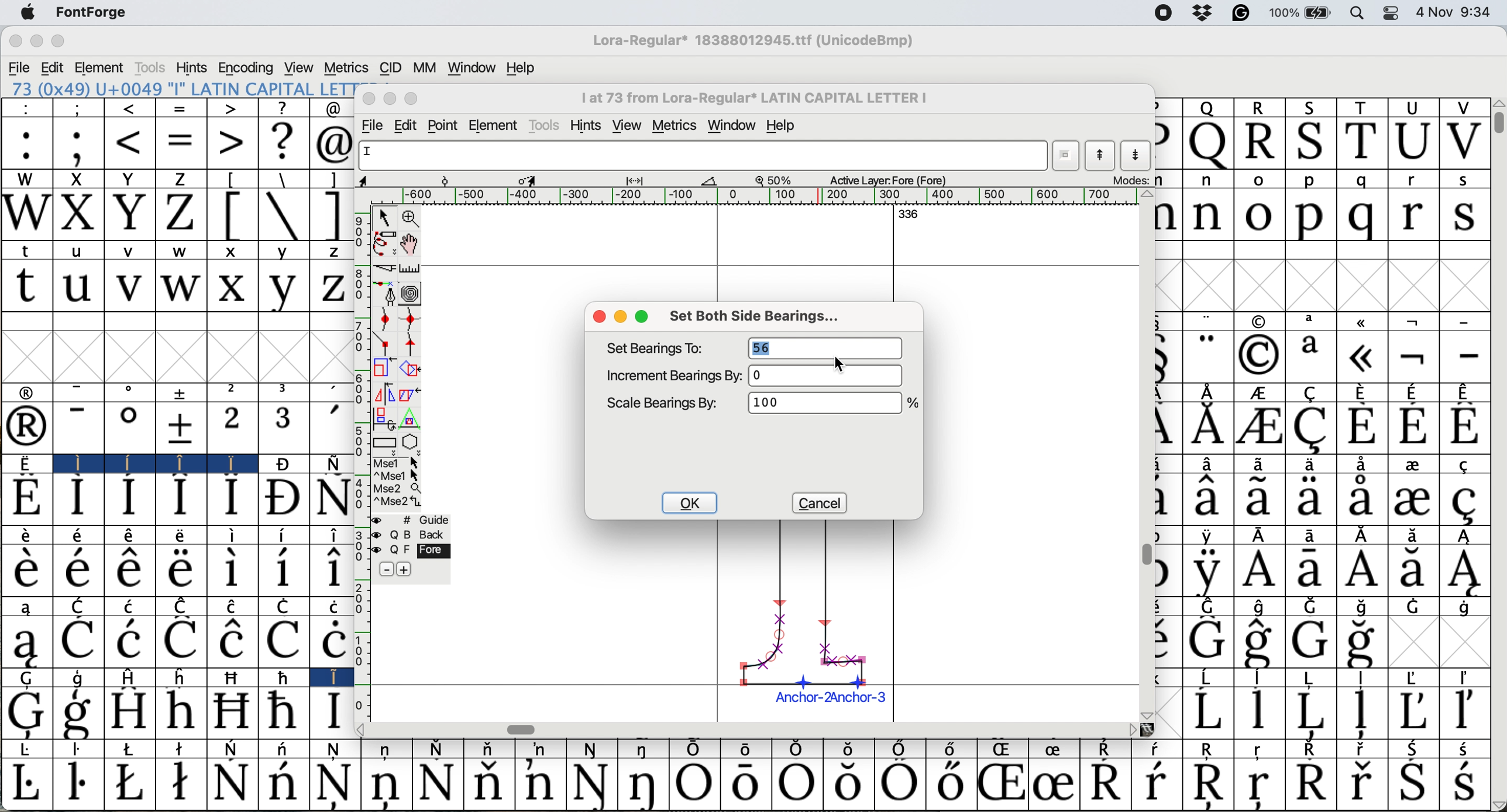 This screenshot has height=812, width=1507. I want to click on Symbol, so click(1260, 428).